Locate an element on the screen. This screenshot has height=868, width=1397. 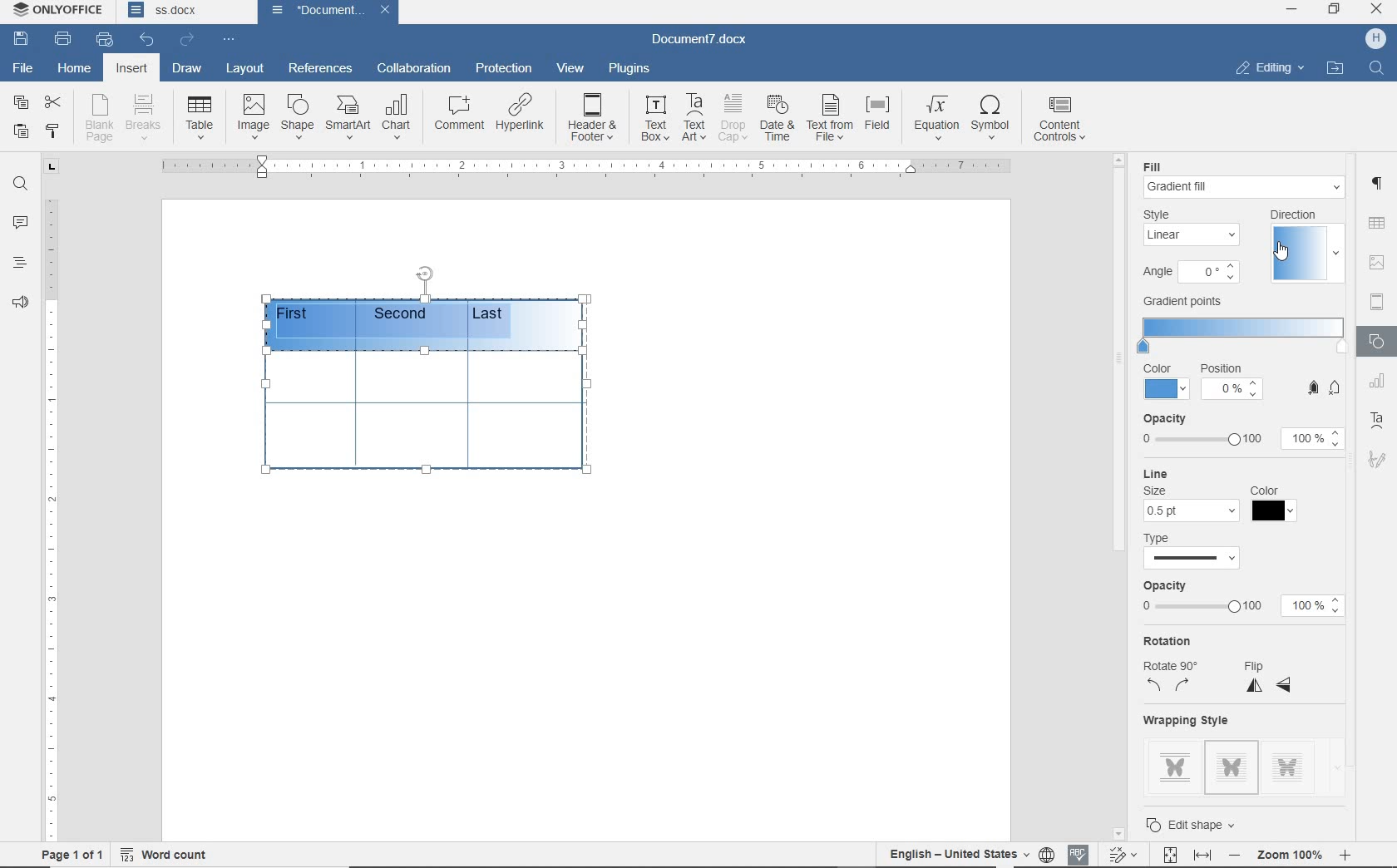
comment is located at coordinates (458, 116).